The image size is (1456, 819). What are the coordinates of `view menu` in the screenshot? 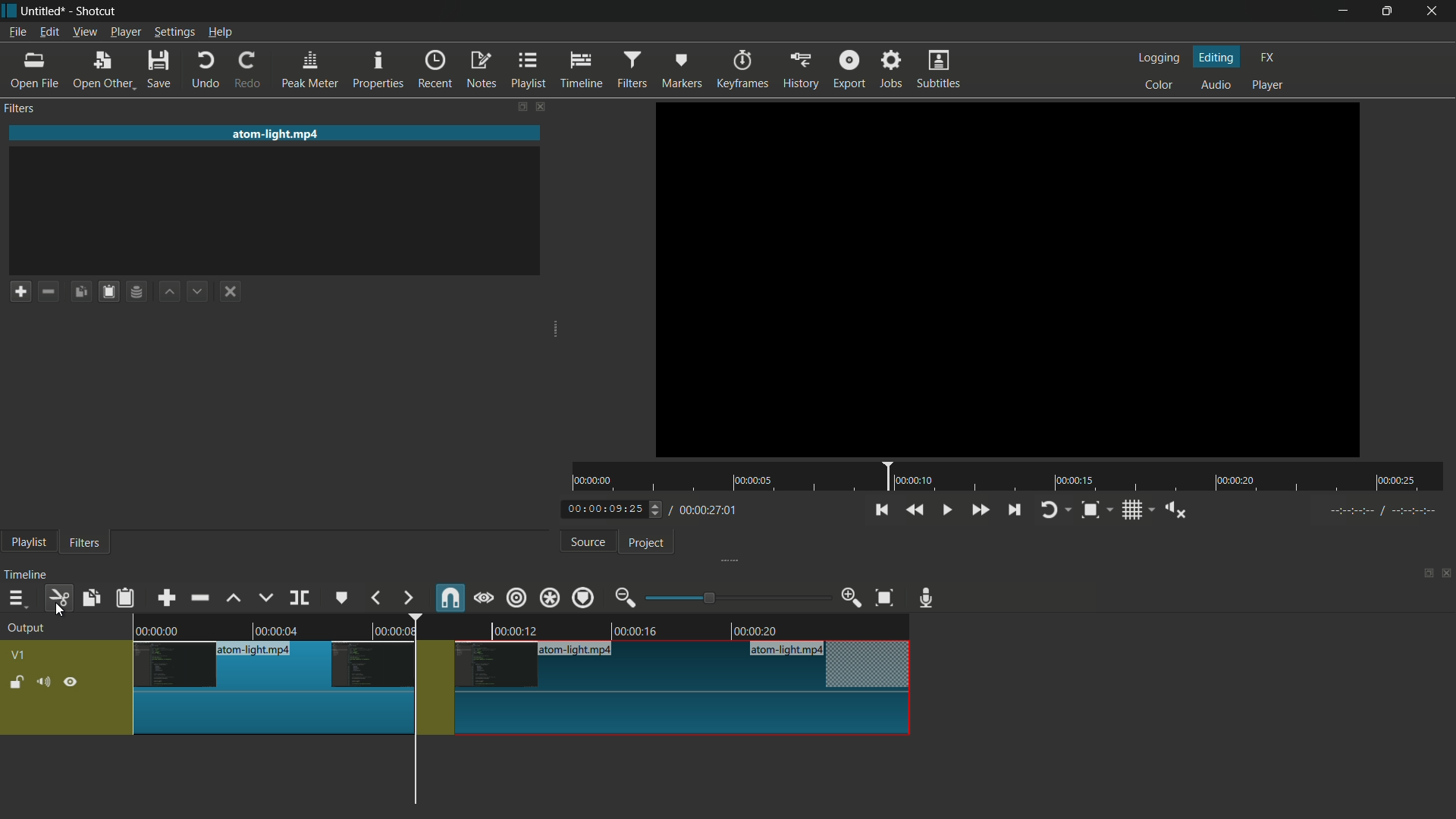 It's located at (83, 33).